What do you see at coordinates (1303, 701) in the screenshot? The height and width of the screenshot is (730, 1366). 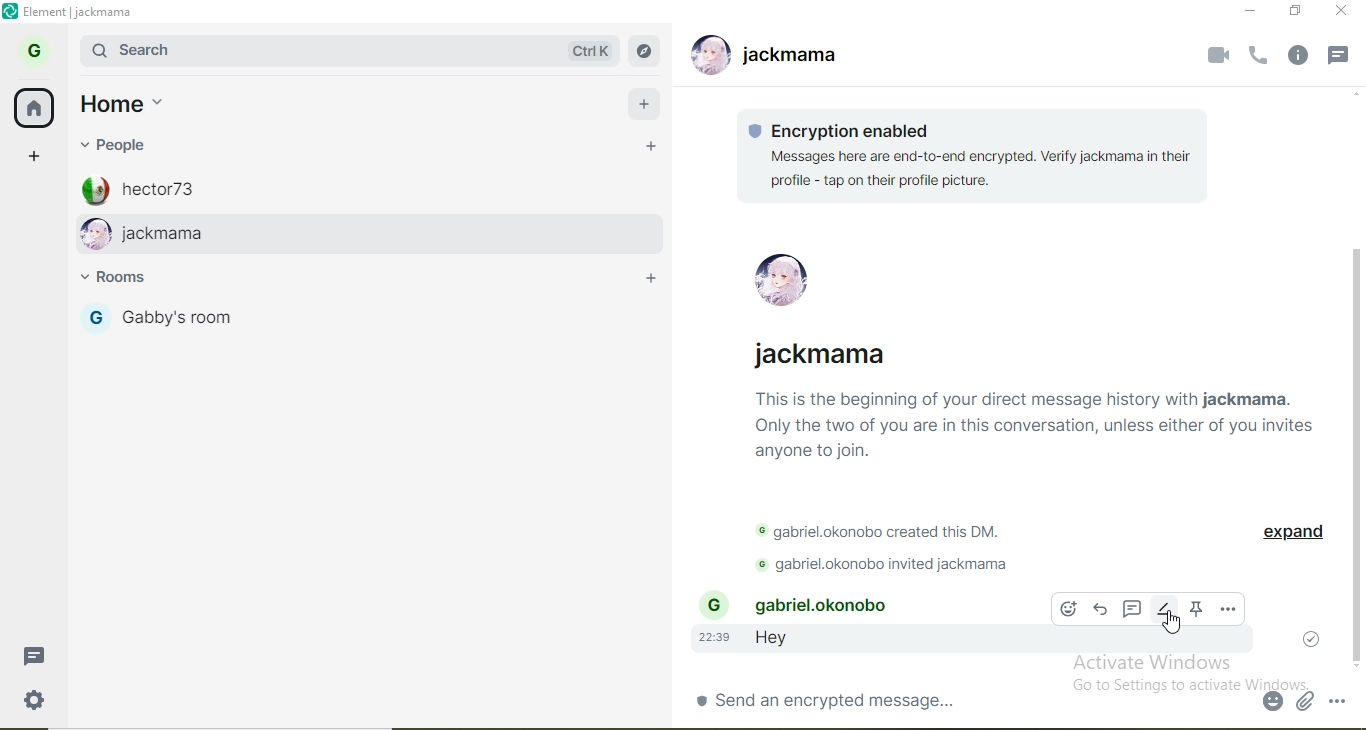 I see `attachment` at bounding box center [1303, 701].